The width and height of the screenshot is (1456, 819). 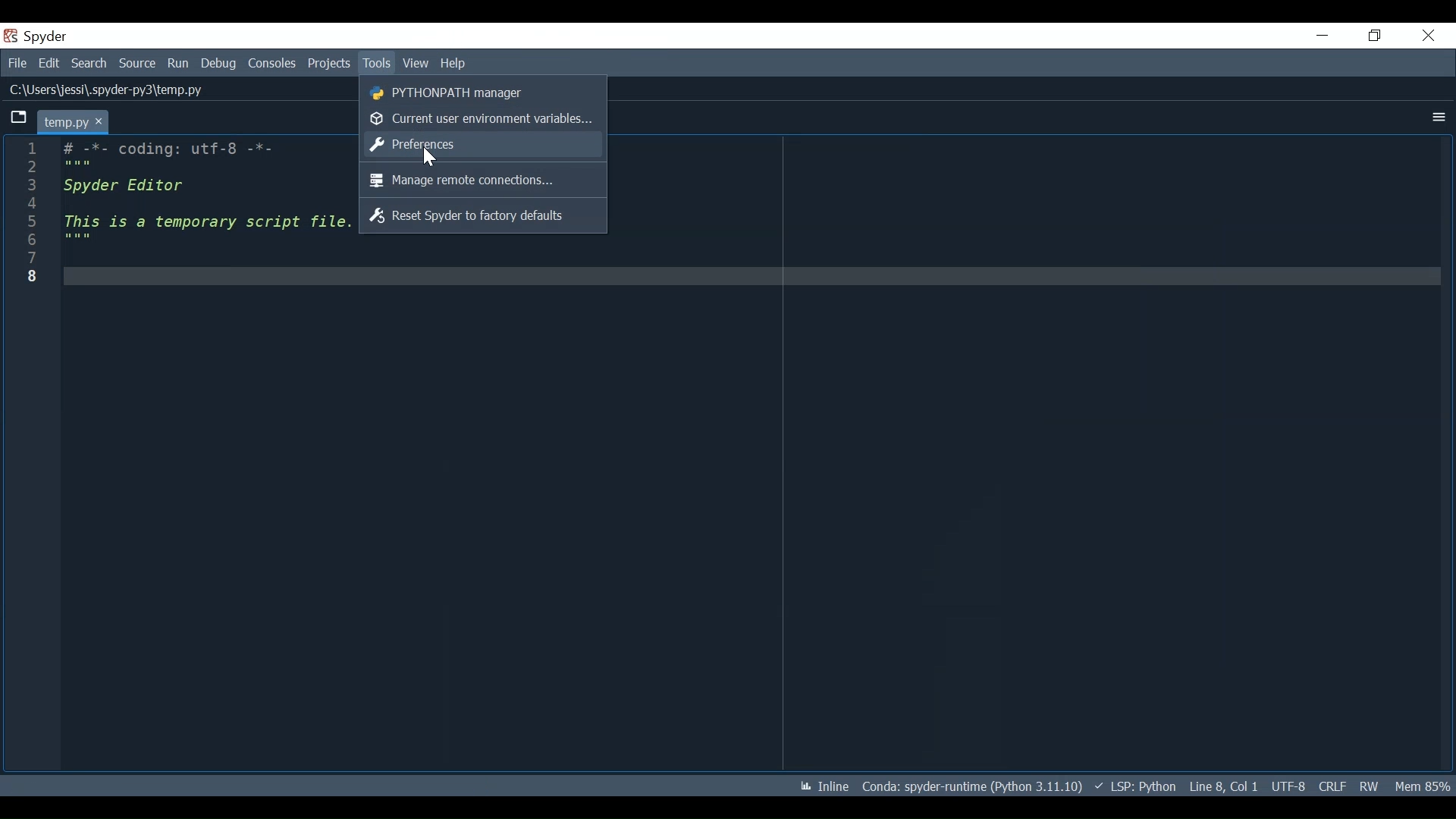 I want to click on Current user environment variables, so click(x=484, y=117).